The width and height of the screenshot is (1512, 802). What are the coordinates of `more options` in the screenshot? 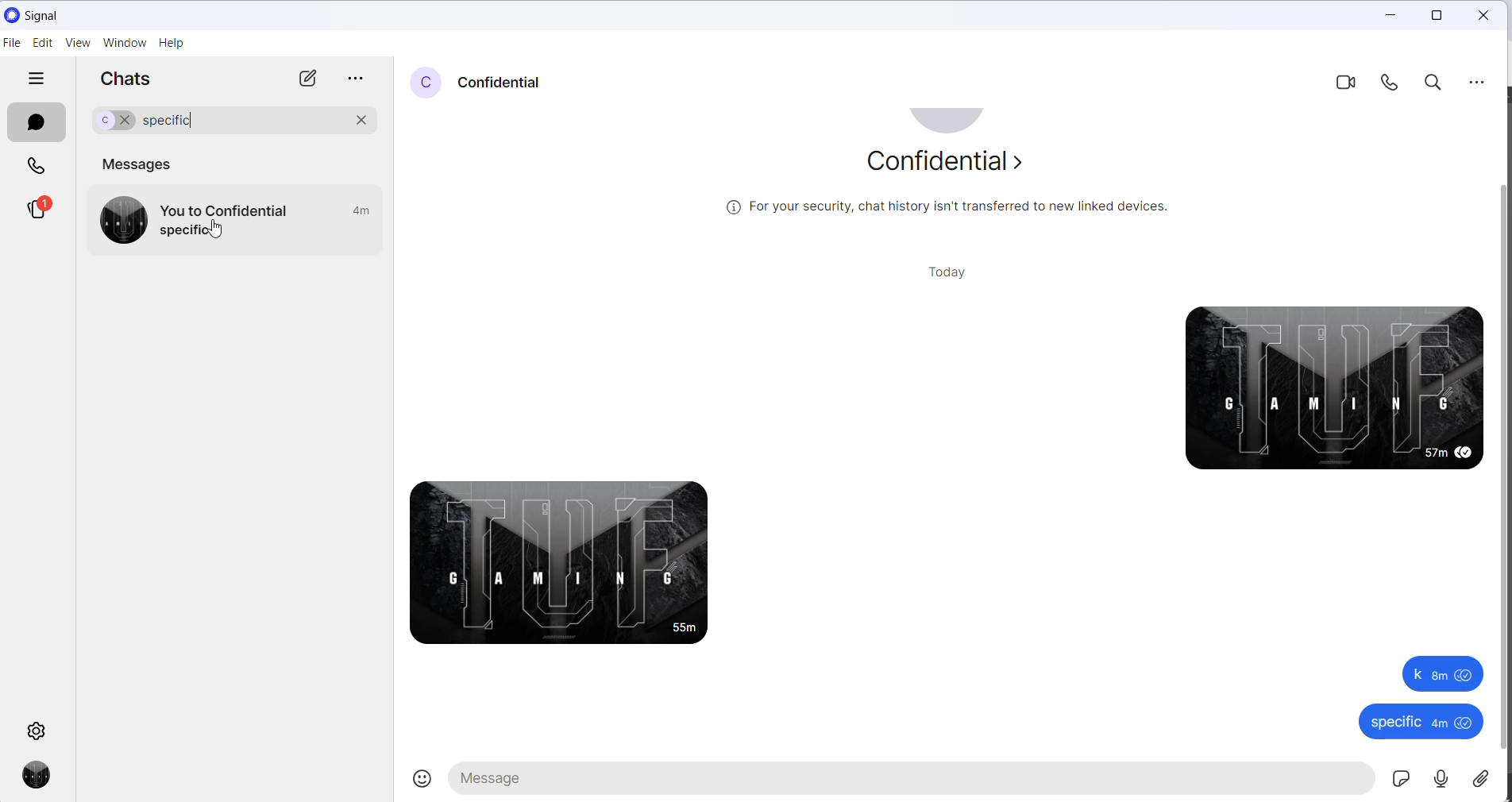 It's located at (1478, 81).